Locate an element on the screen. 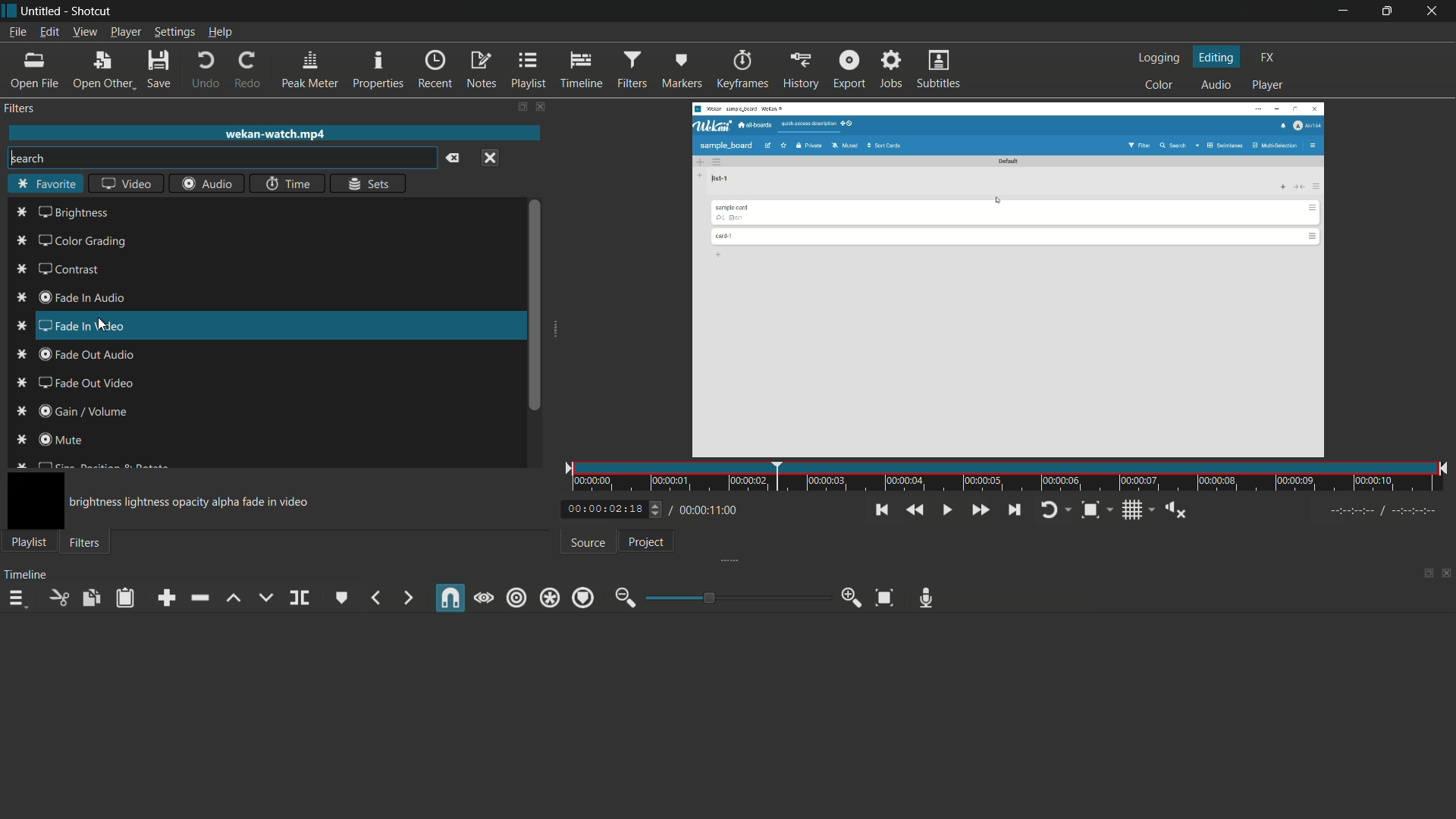 Image resolution: width=1456 pixels, height=819 pixels. playlist is located at coordinates (30, 542).